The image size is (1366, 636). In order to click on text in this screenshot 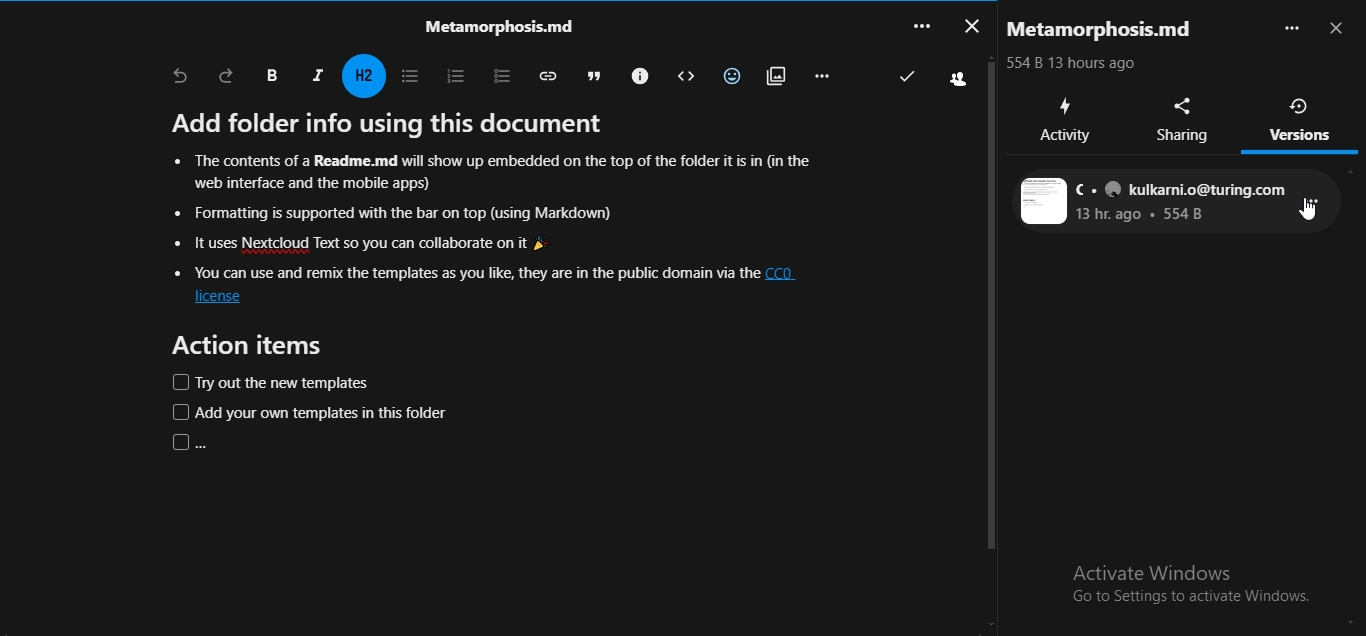, I will do `click(493, 25)`.